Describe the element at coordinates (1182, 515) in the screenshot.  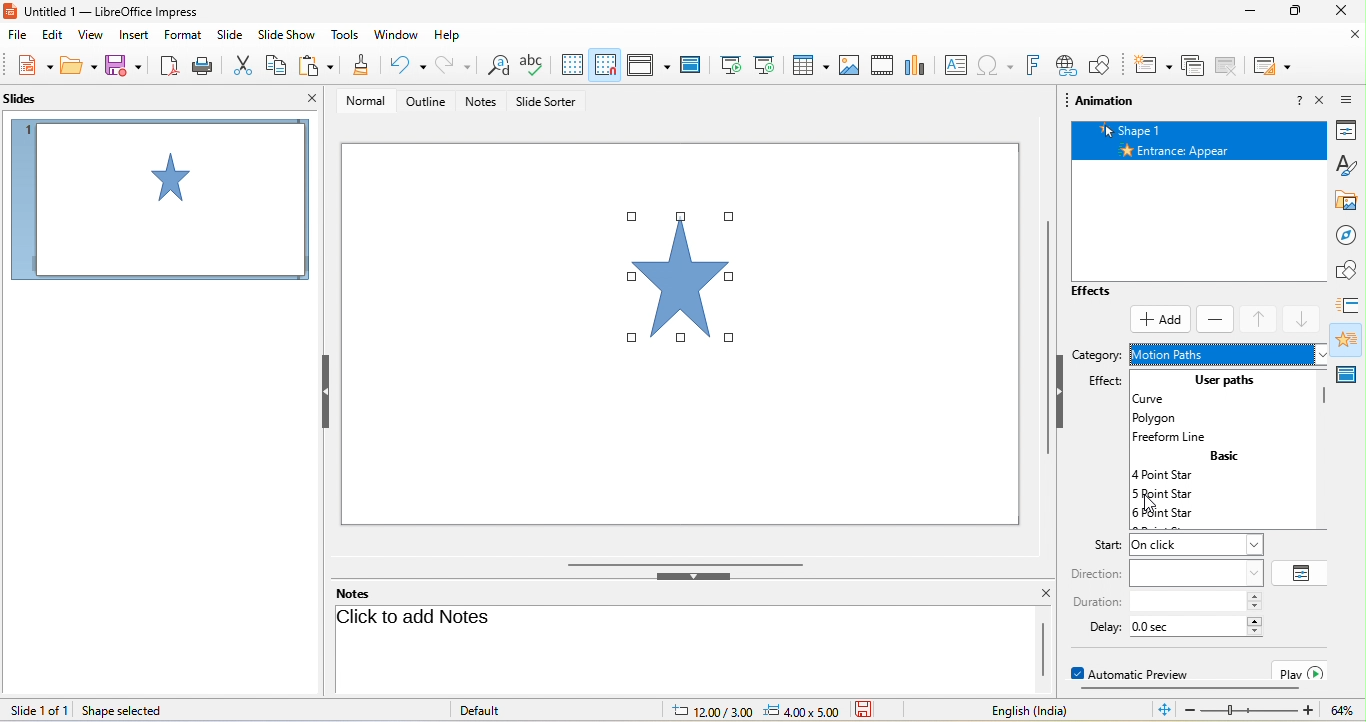
I see `6 point star` at that location.